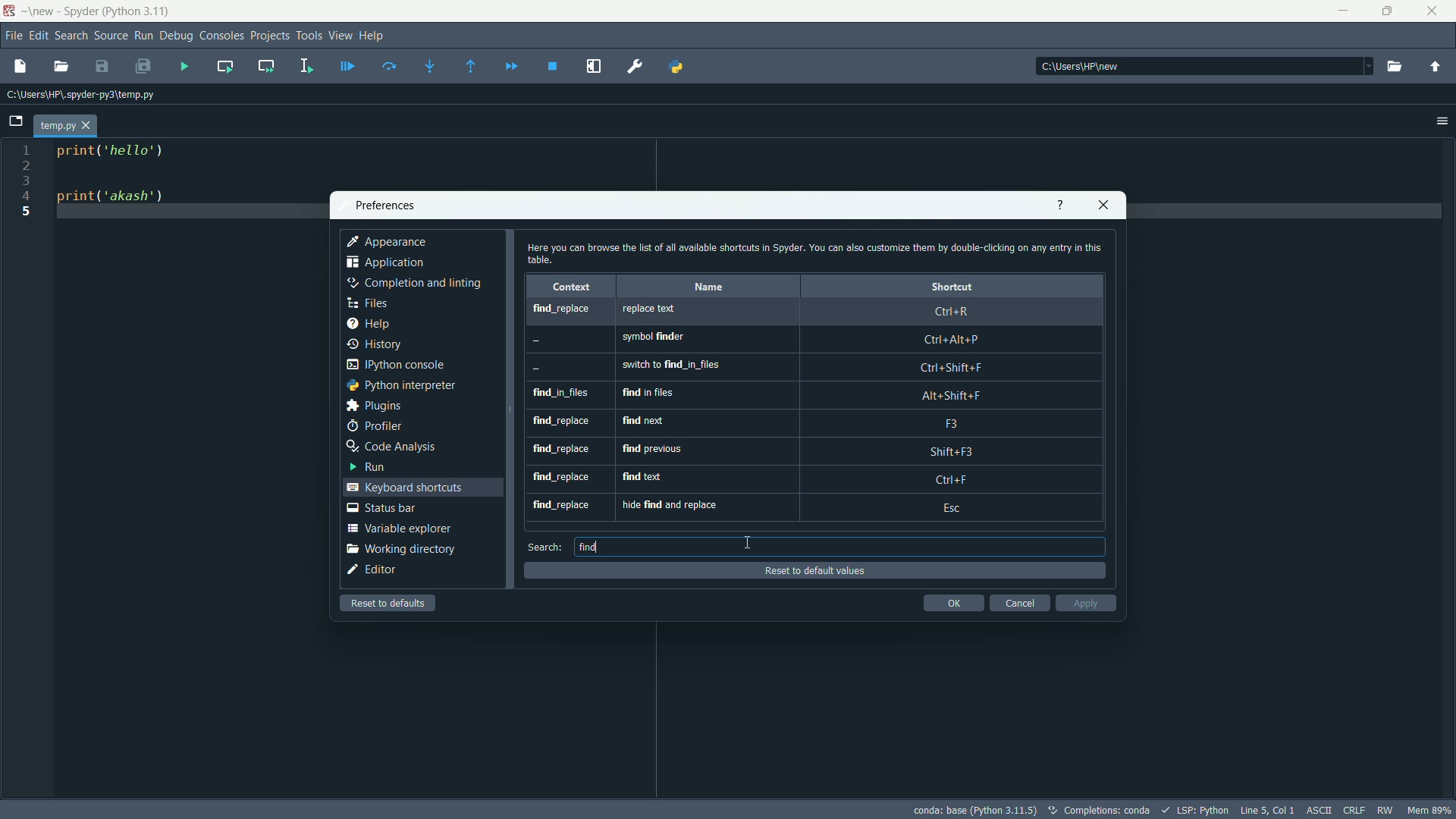 The width and height of the screenshot is (1456, 819). Describe the element at coordinates (974, 811) in the screenshot. I see `conda: base (Python 3.11.5)` at that location.